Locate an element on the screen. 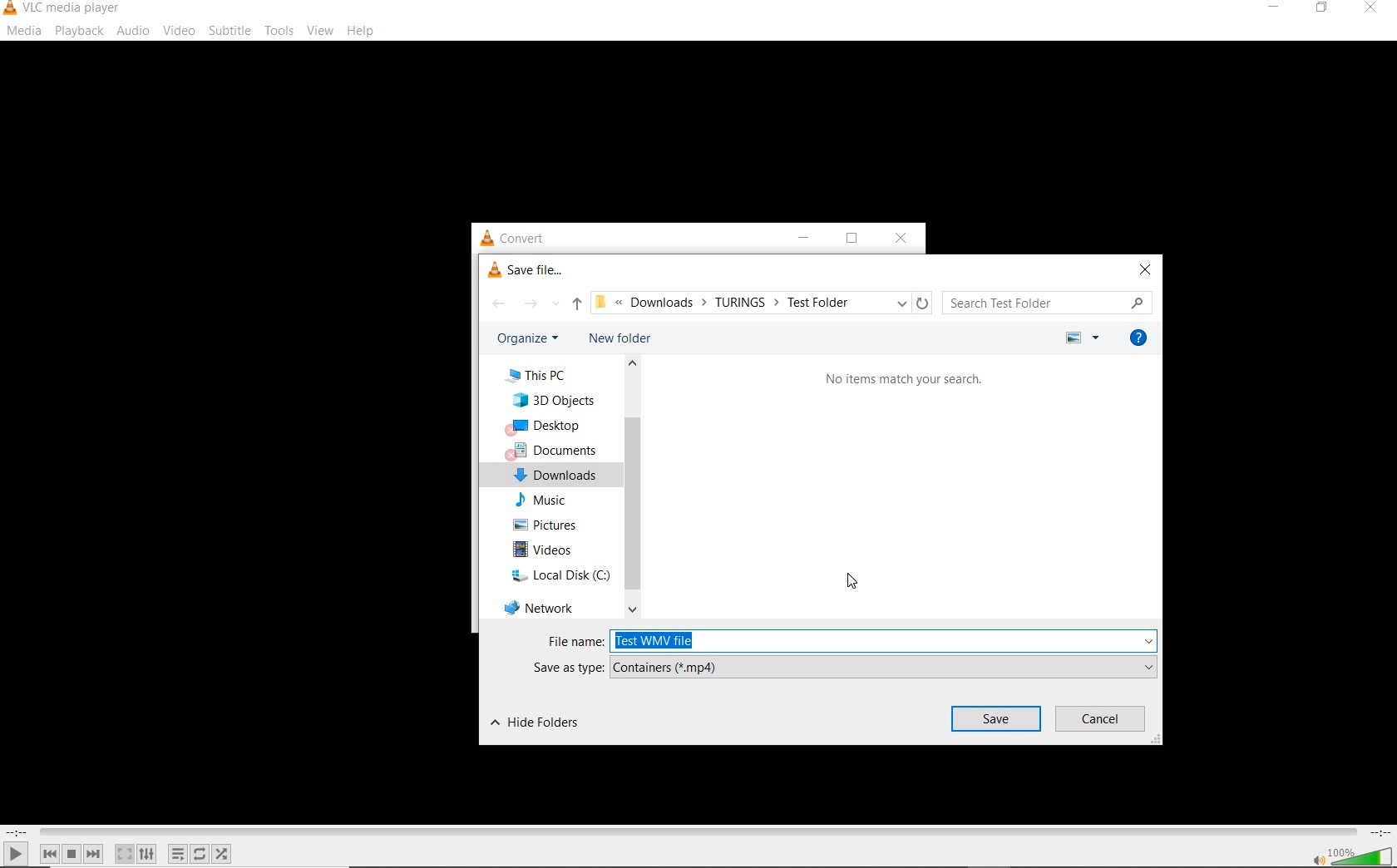 This screenshot has height=868, width=1397. elapsed time is located at coordinates (17, 832).